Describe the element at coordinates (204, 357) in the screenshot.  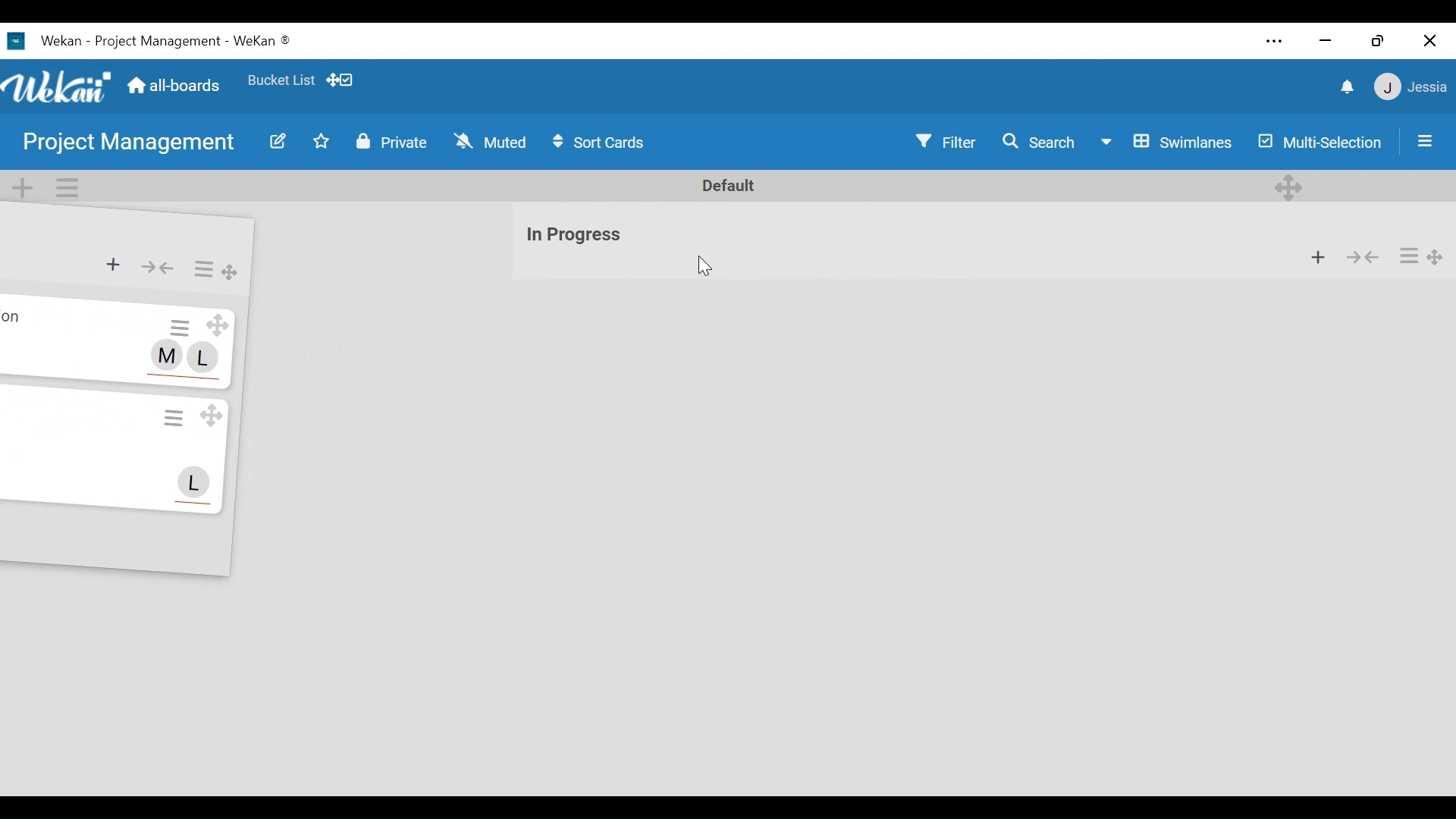
I see `L` at that location.